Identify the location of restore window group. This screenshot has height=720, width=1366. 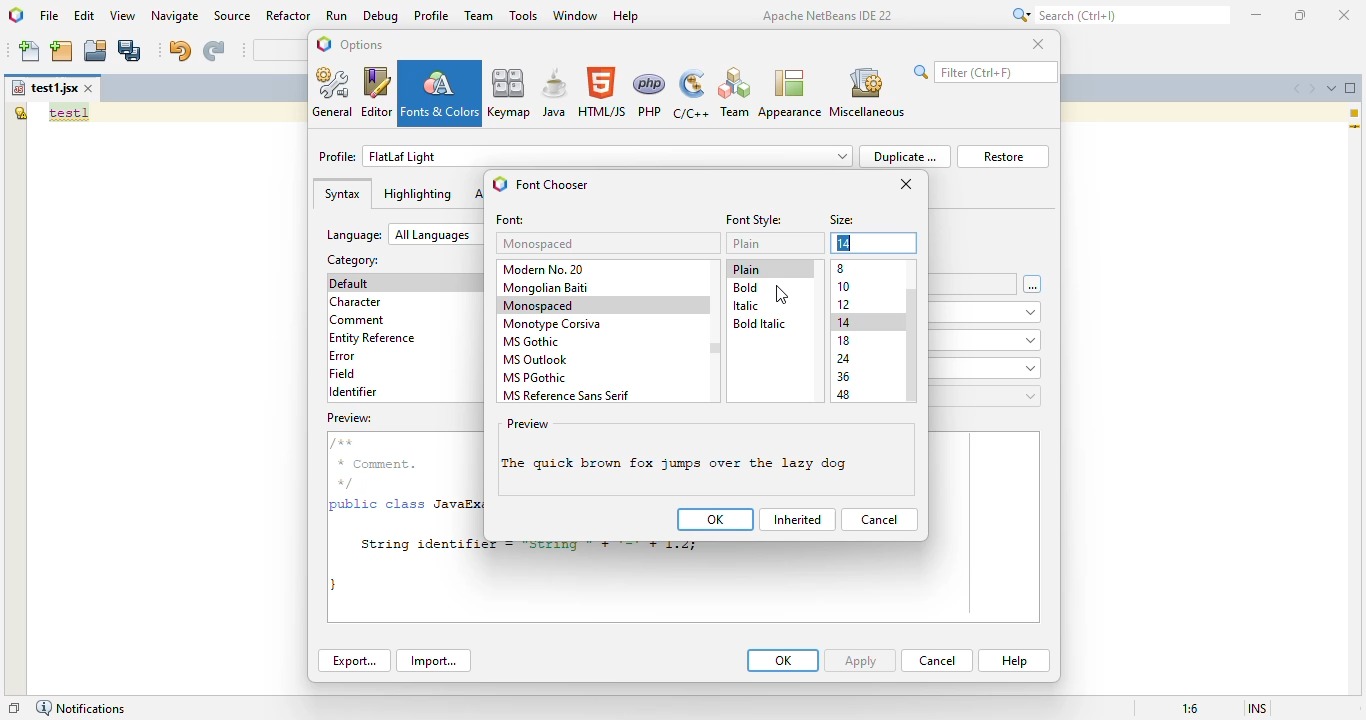
(14, 708).